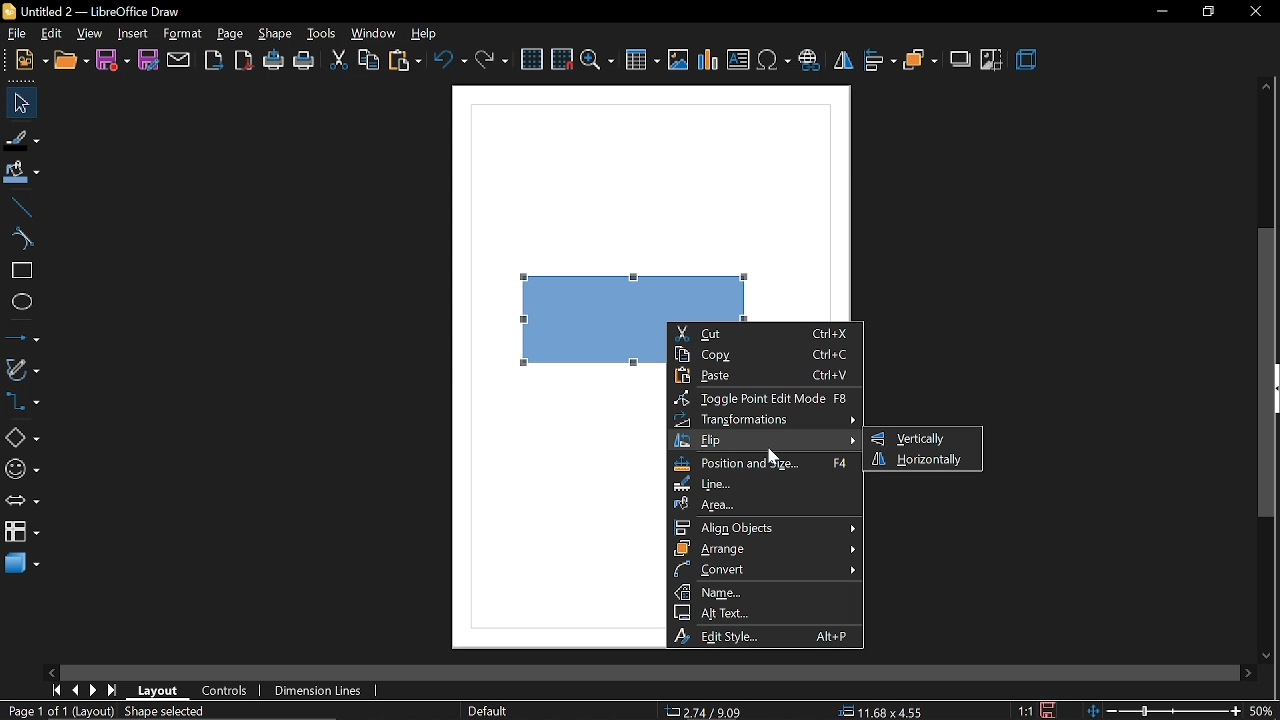 This screenshot has width=1280, height=720. Describe the element at coordinates (1246, 672) in the screenshot. I see `move right` at that location.